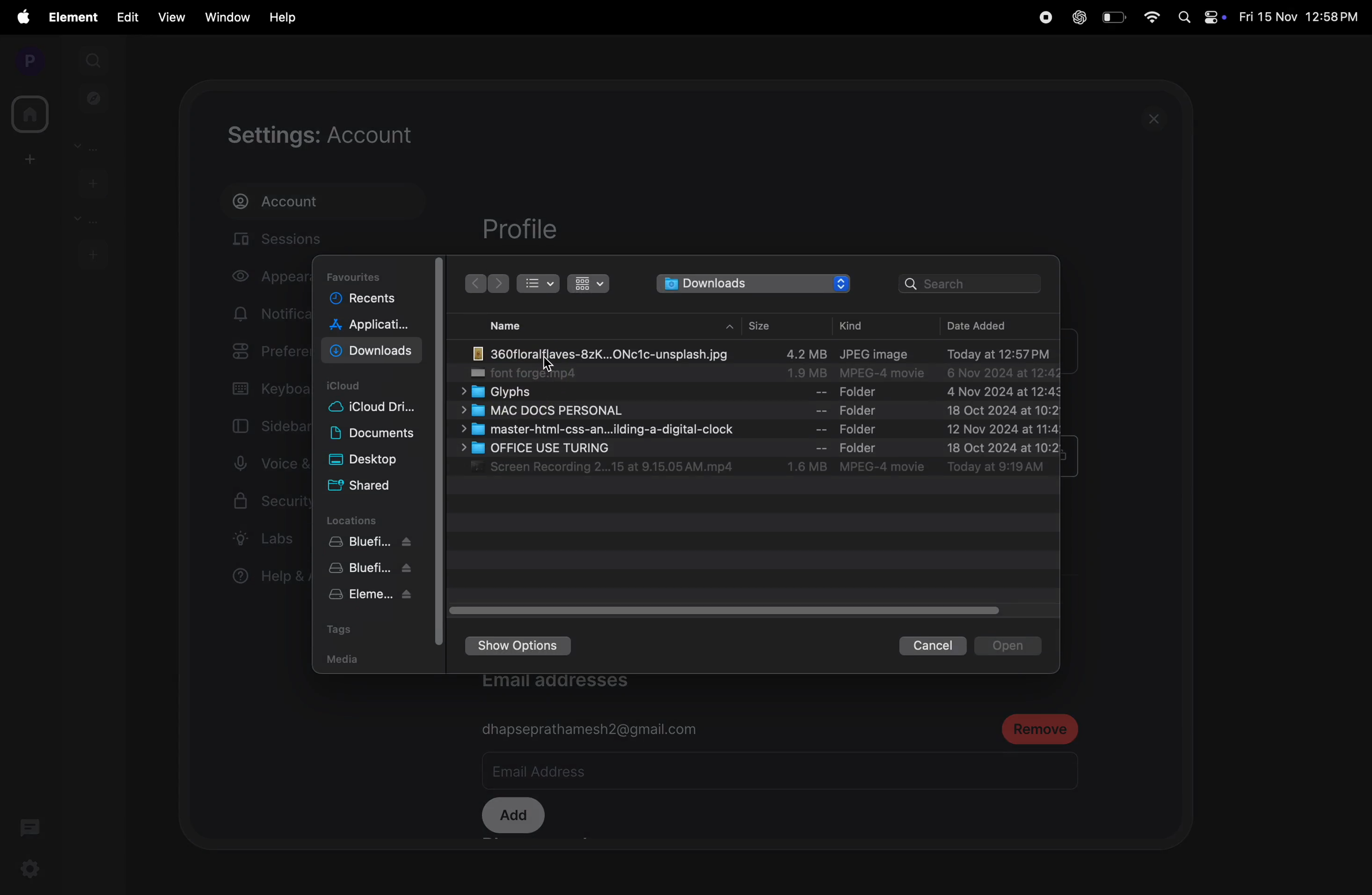  Describe the element at coordinates (84, 220) in the screenshot. I see `rooms` at that location.